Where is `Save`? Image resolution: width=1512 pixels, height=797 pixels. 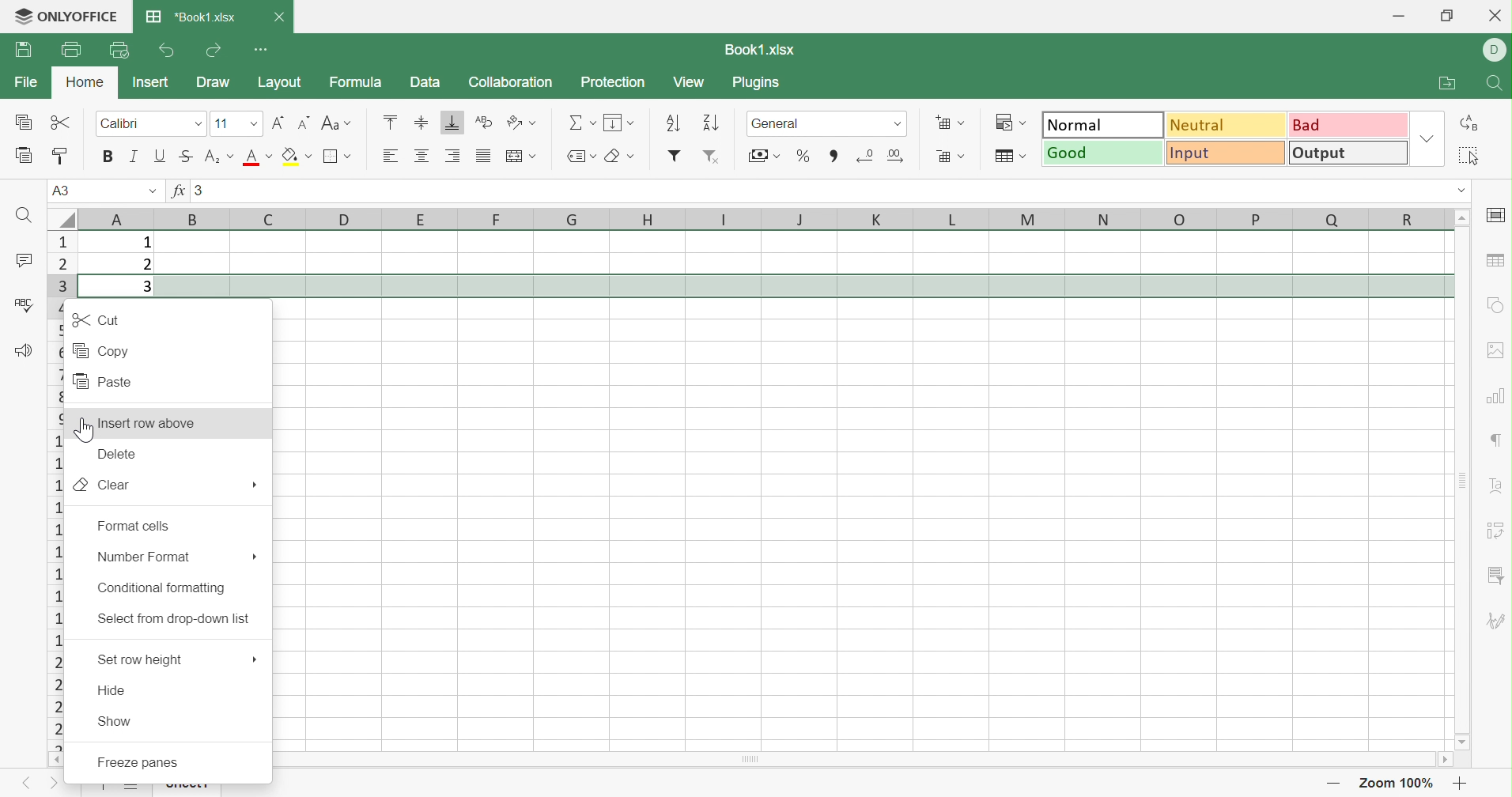
Save is located at coordinates (24, 49).